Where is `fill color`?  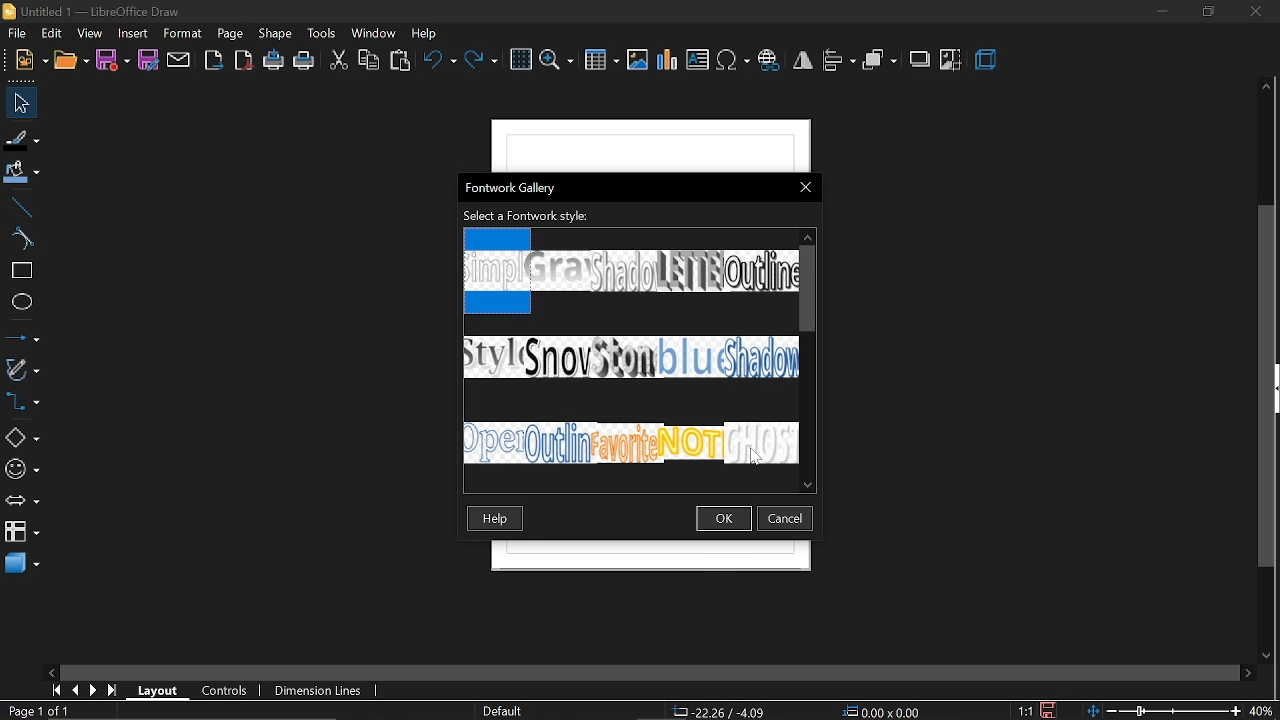
fill color is located at coordinates (21, 172).